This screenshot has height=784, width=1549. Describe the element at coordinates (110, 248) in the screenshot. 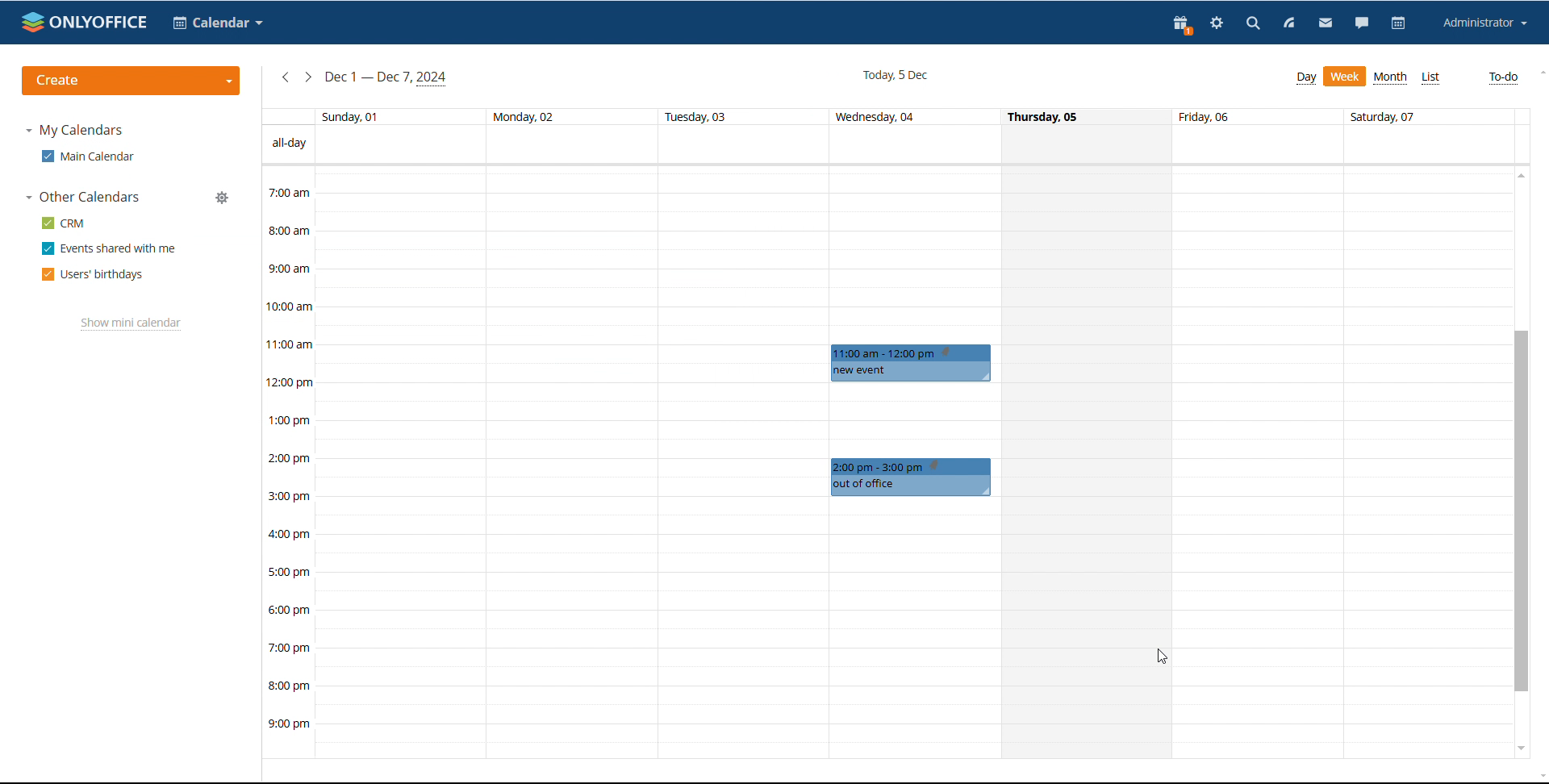

I see `events shared with me` at that location.